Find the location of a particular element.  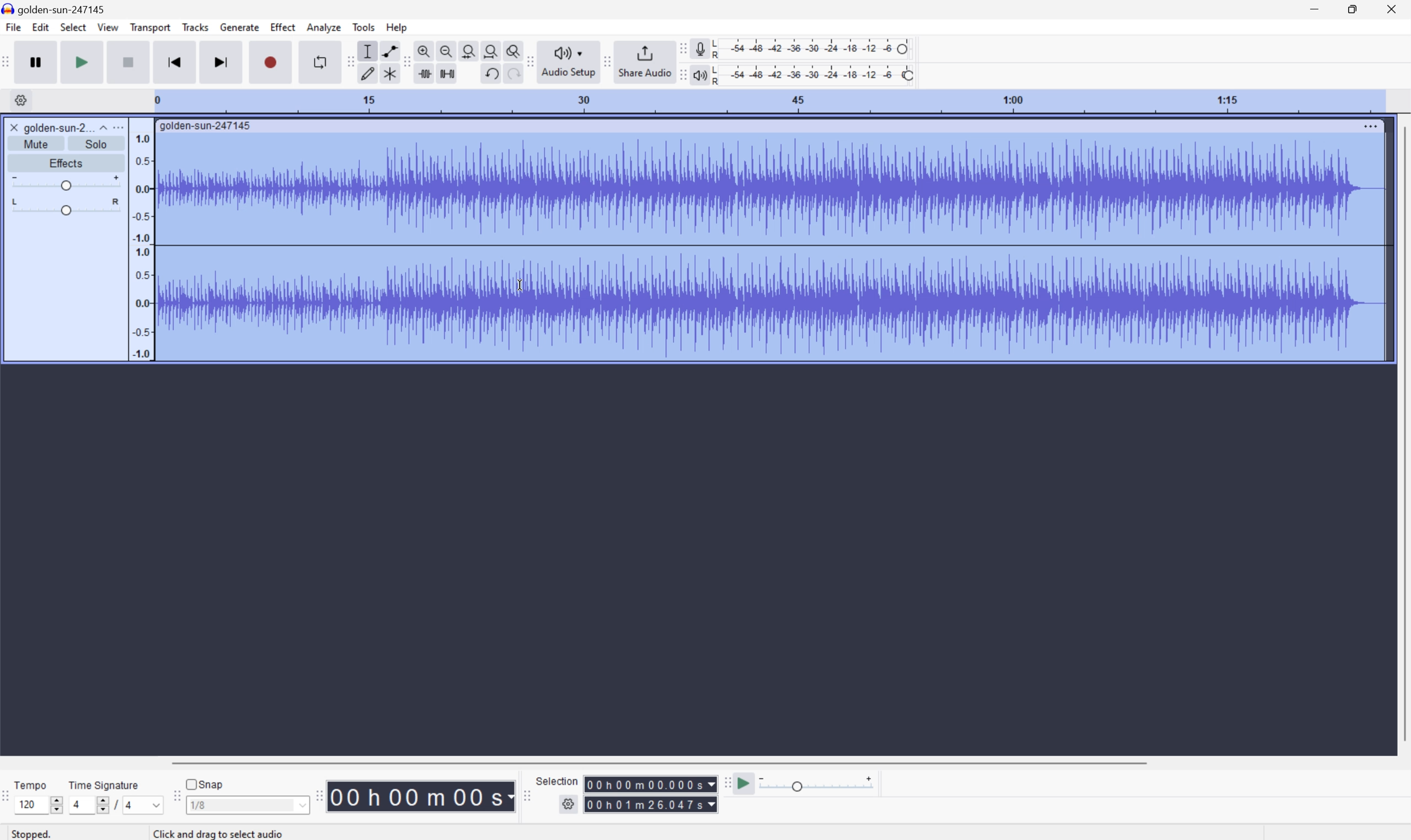

1/8 is located at coordinates (247, 804).